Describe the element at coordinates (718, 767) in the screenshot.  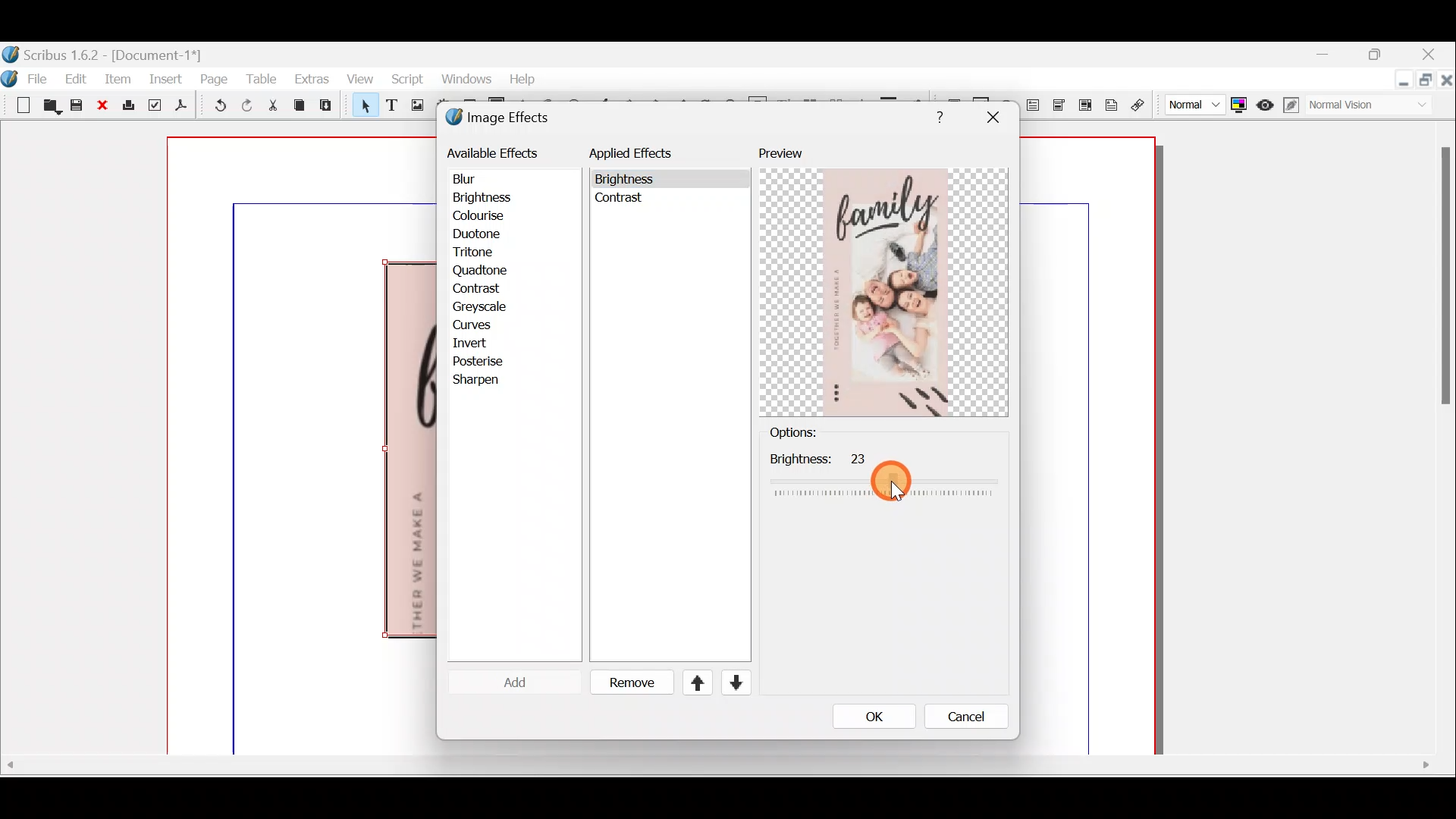
I see `` at that location.